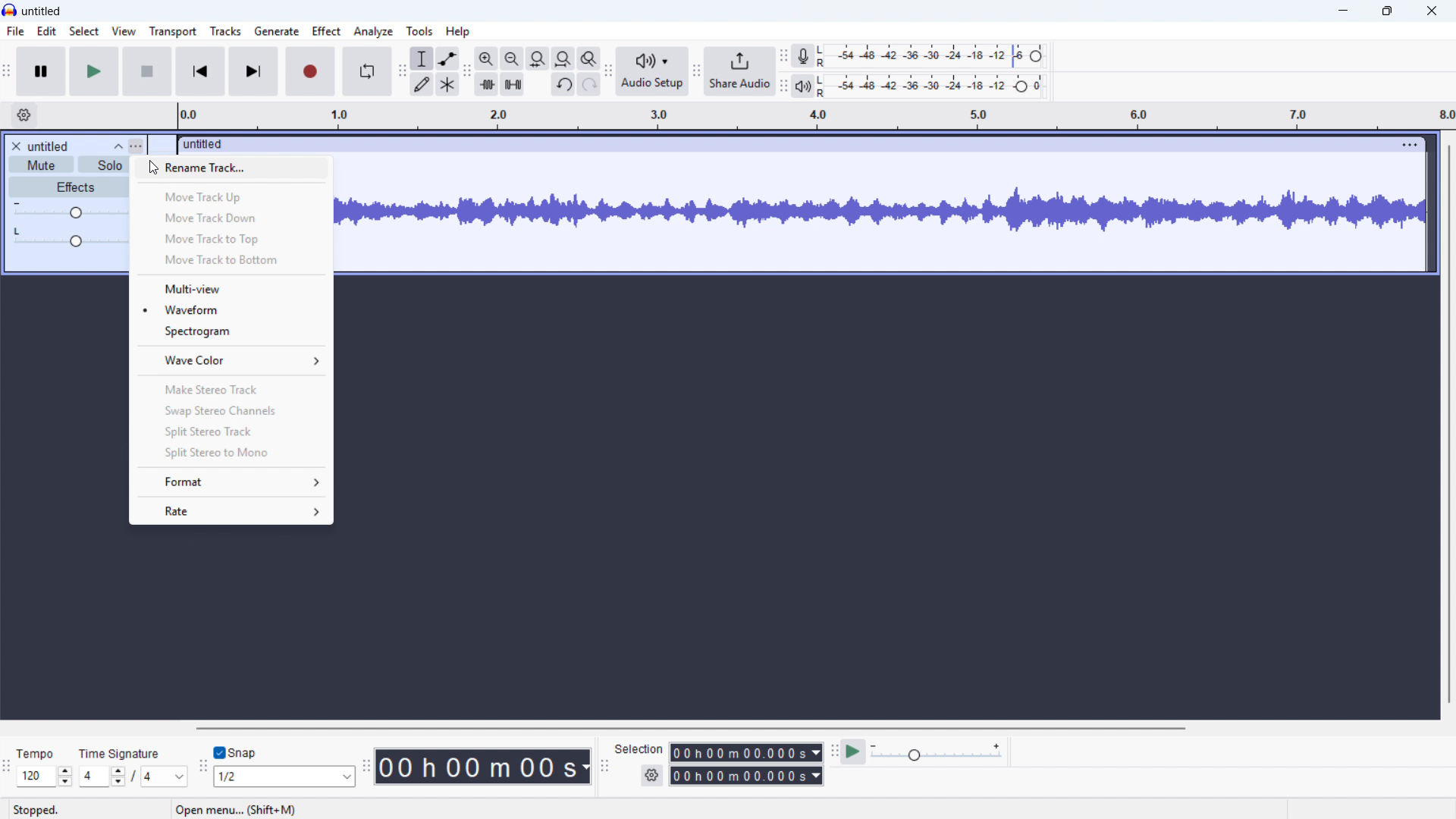  Describe the element at coordinates (16, 146) in the screenshot. I see `Remove track ` at that location.